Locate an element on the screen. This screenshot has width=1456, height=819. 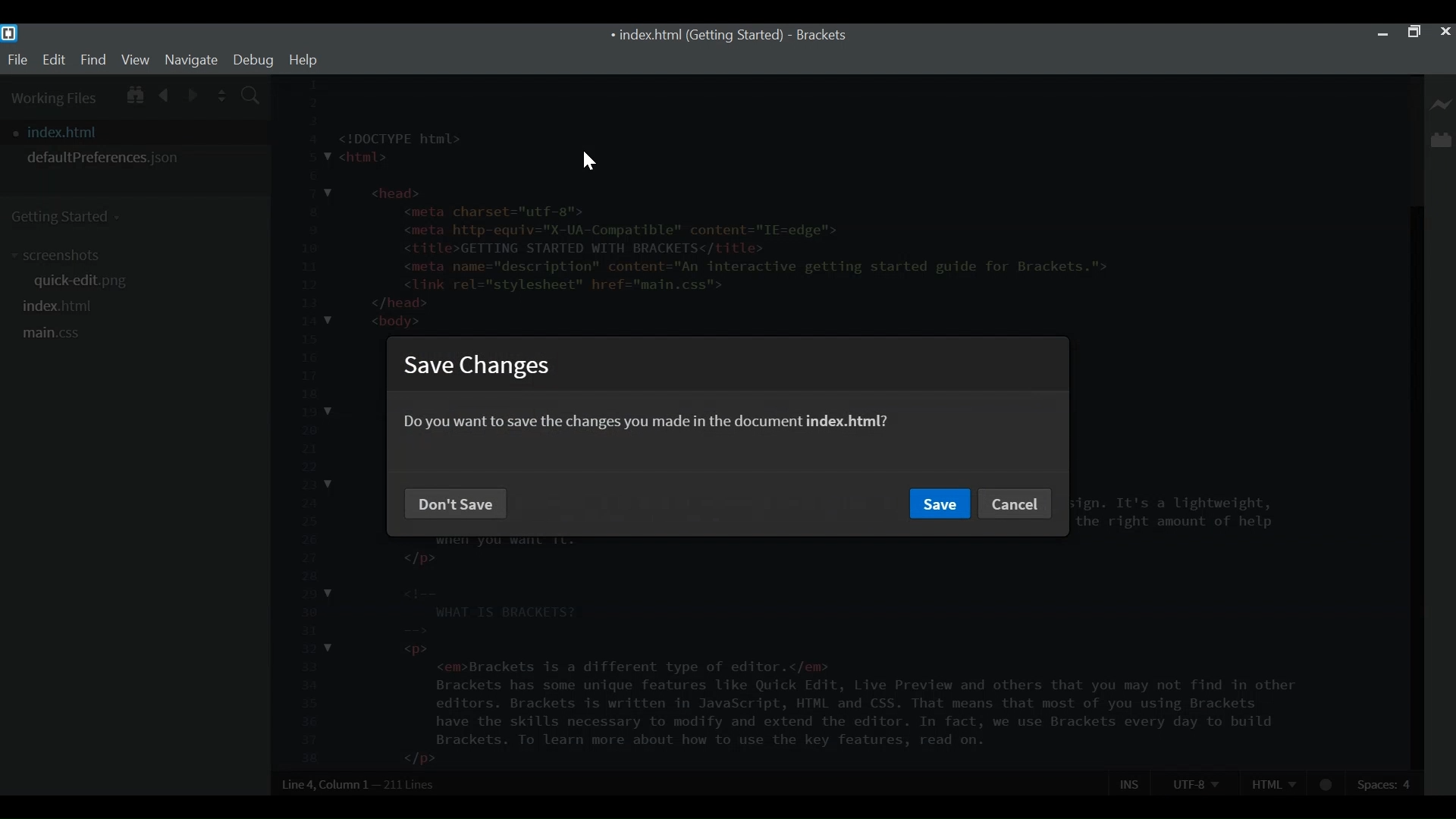
Vertical Scroll bar is located at coordinates (1414, 488).